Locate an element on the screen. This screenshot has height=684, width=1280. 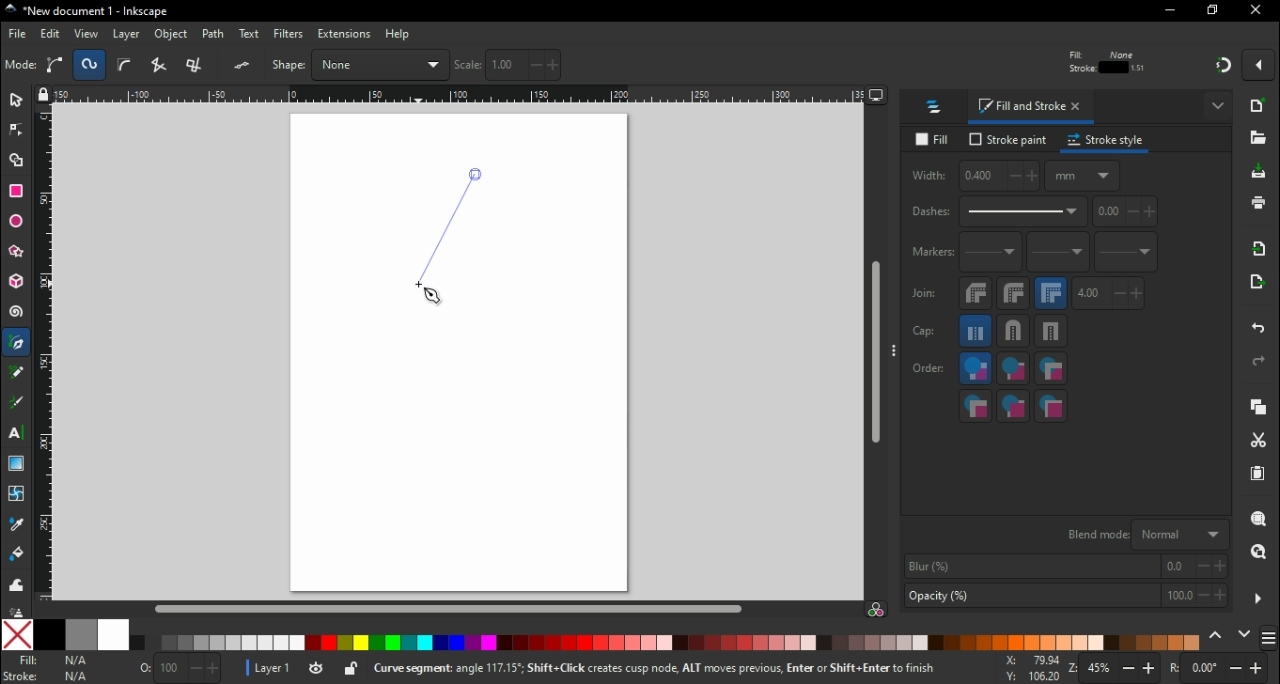
filters is located at coordinates (289, 34).